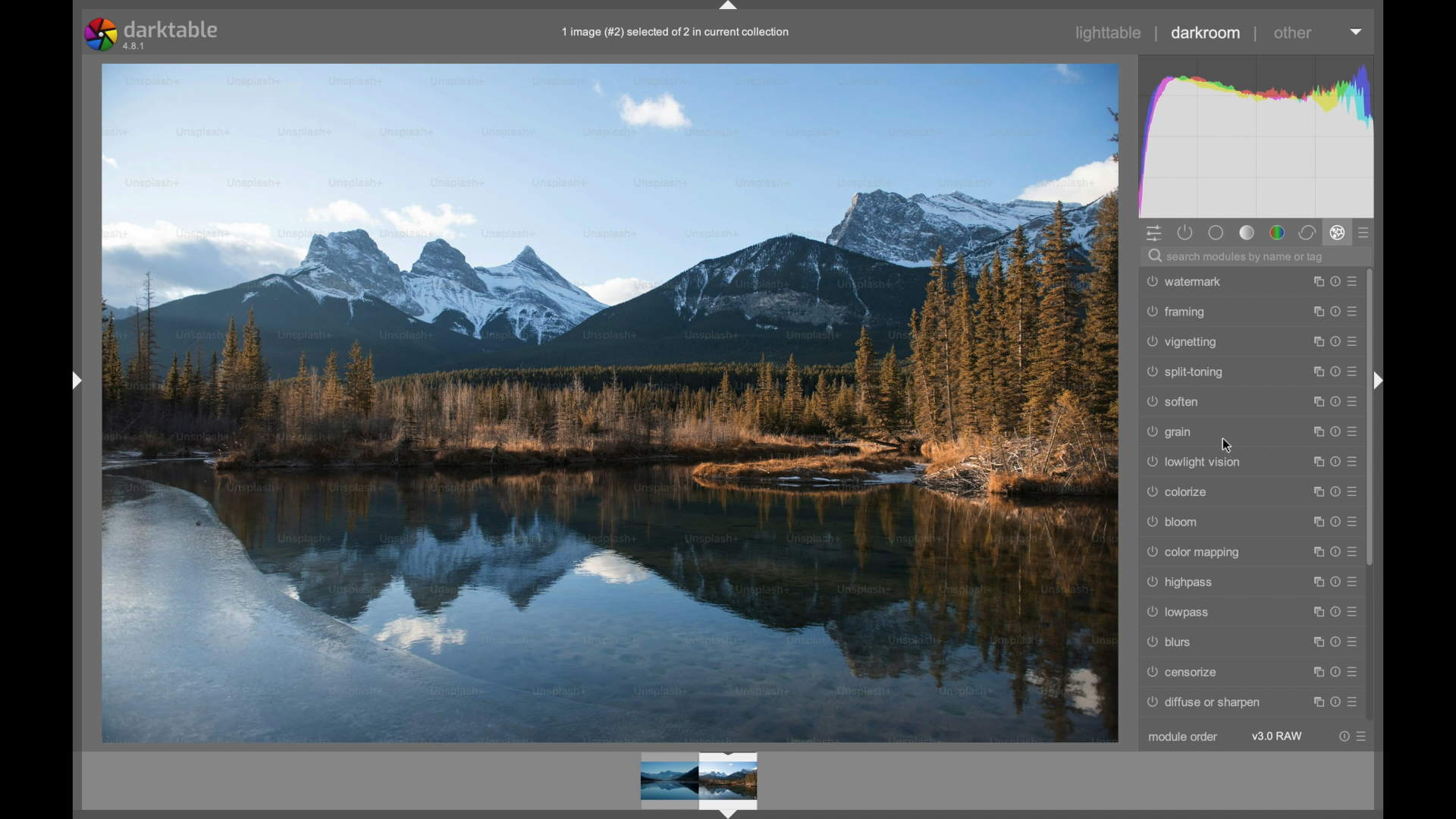 This screenshot has height=819, width=1456. What do you see at coordinates (1351, 551) in the screenshot?
I see `presets` at bounding box center [1351, 551].